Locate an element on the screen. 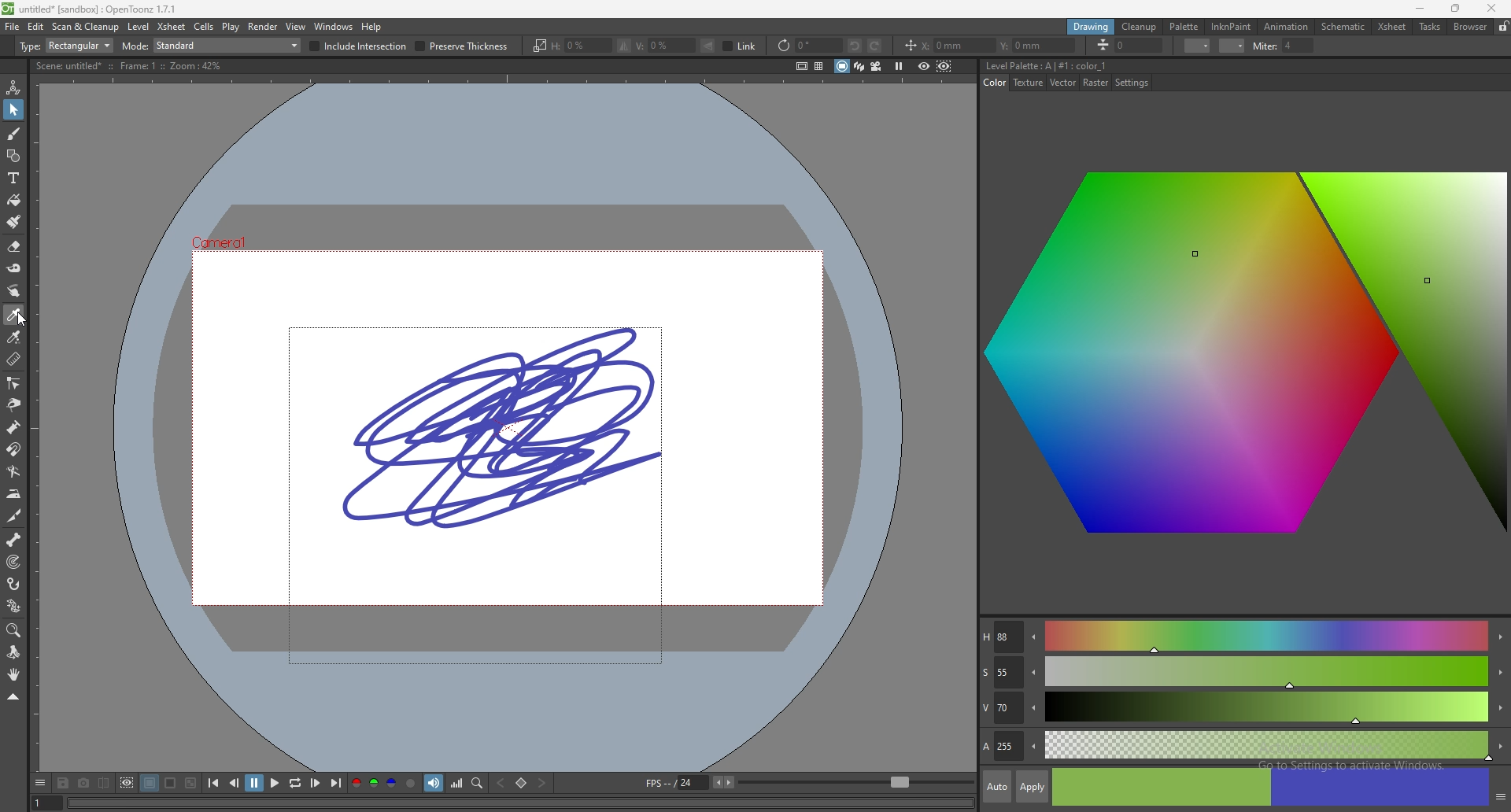 Image resolution: width=1511 pixels, height=812 pixels. magnet tool is located at coordinates (13, 449).